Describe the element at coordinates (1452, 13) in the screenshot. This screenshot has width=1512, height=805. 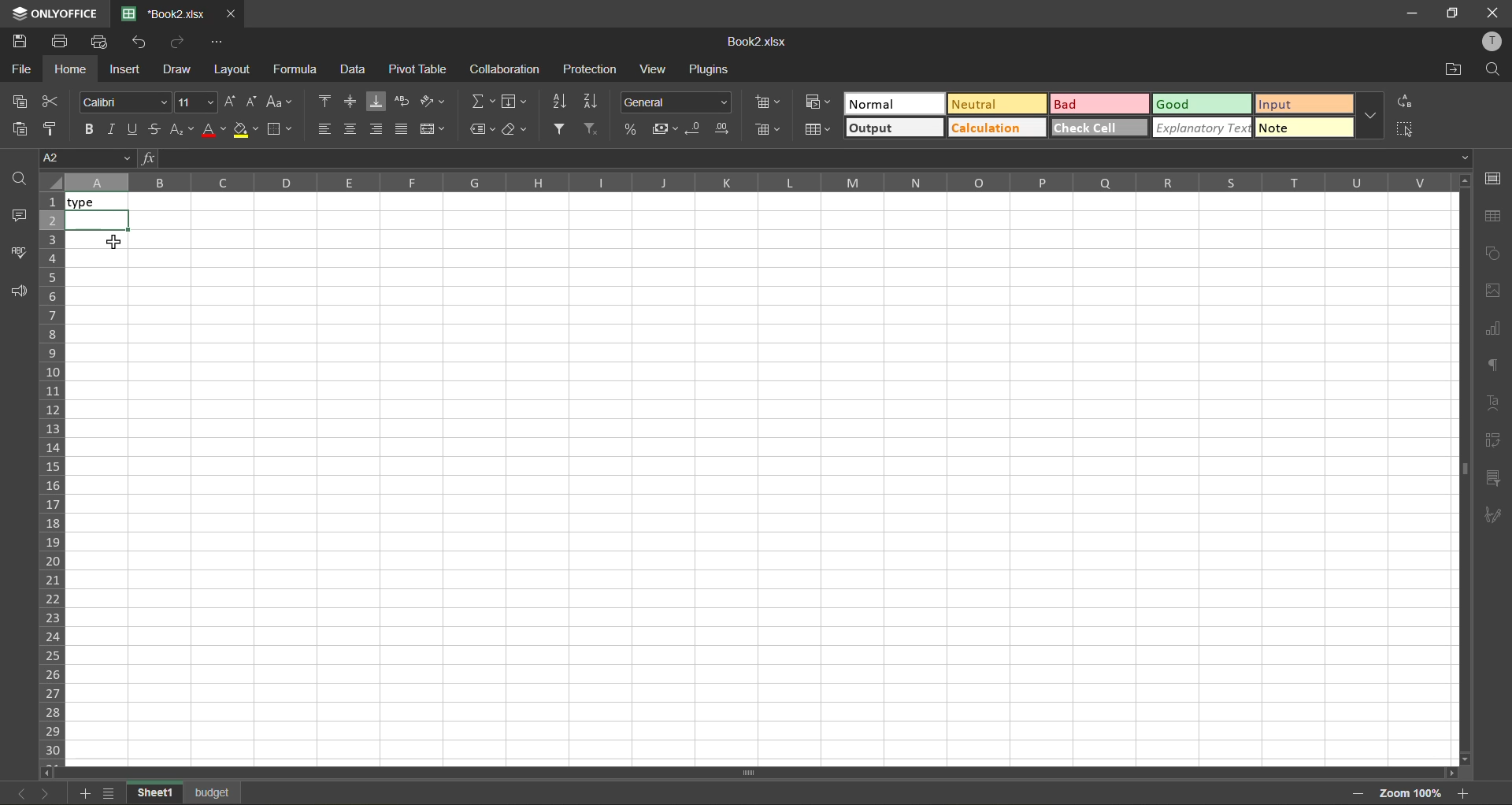
I see `maximize` at that location.